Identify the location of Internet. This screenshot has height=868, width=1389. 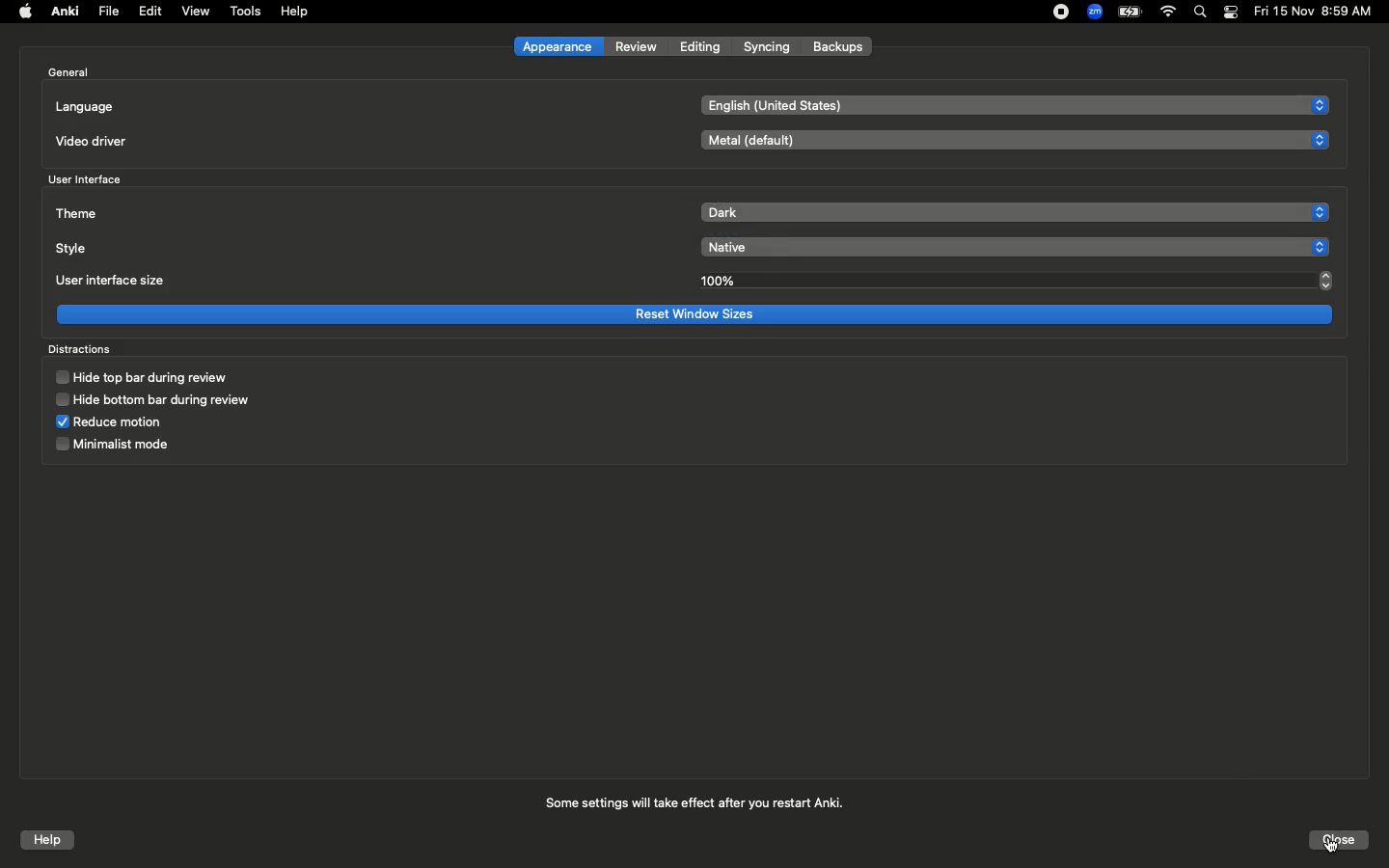
(1171, 13).